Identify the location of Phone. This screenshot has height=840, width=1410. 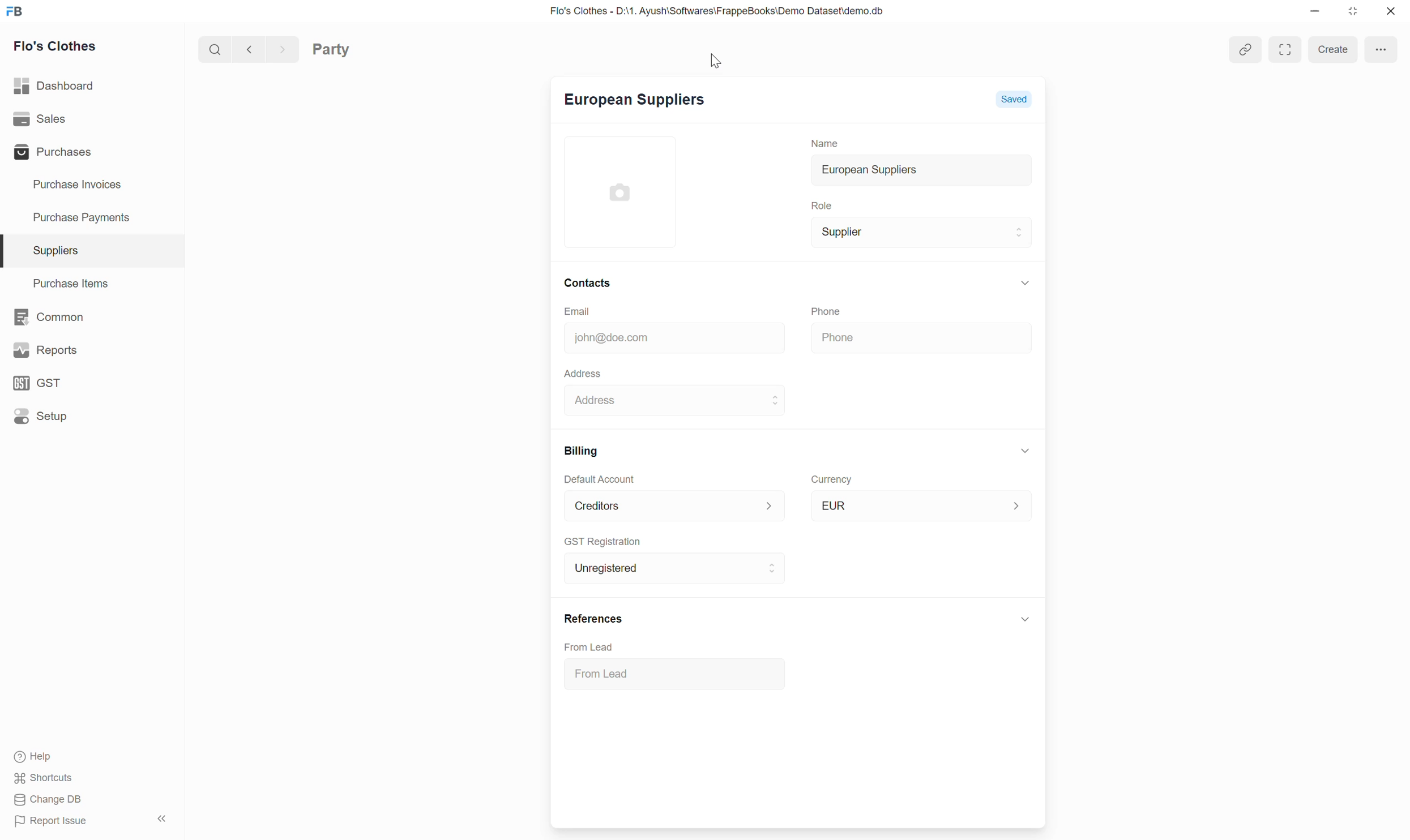
(863, 337).